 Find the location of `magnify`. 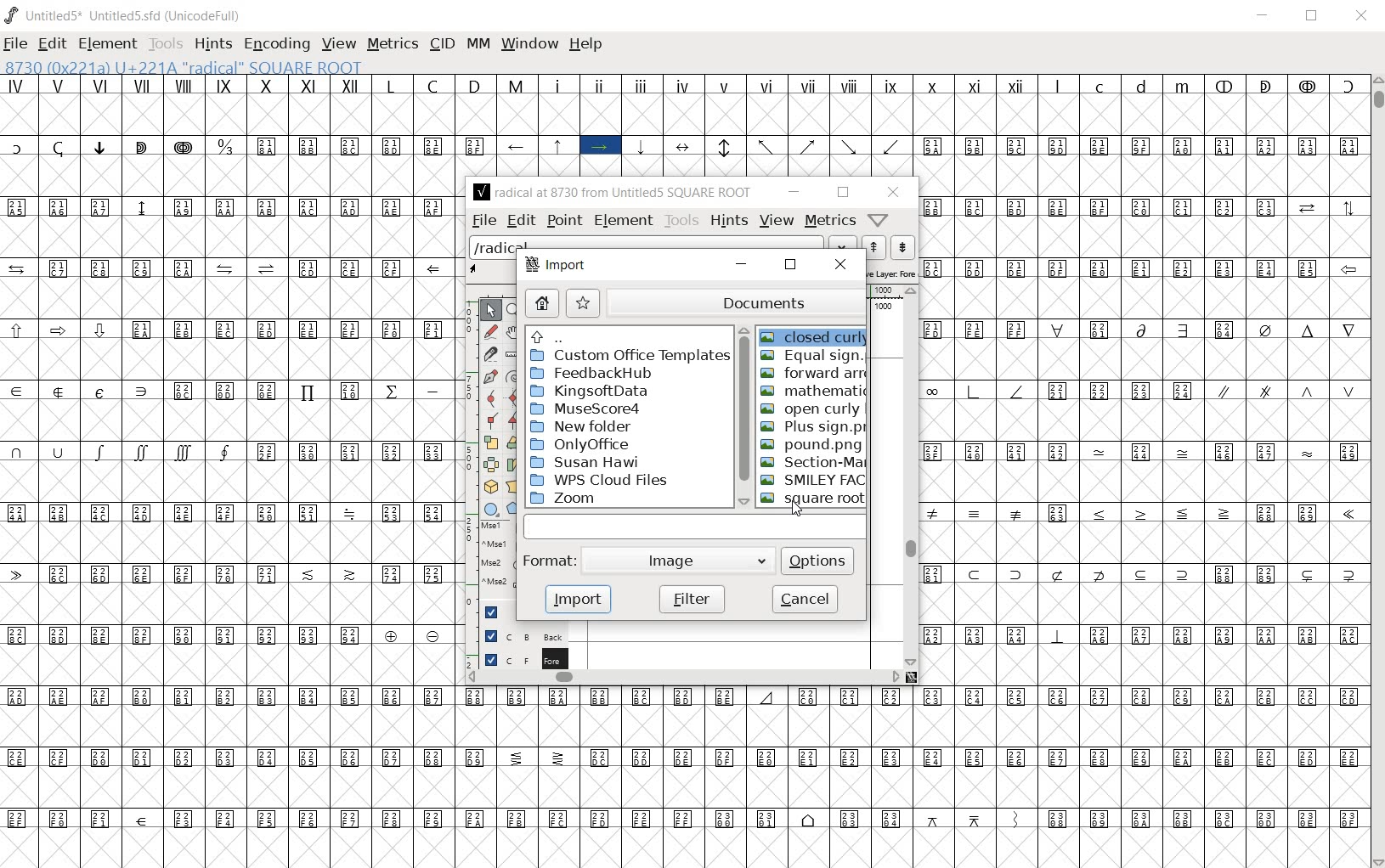

magnify is located at coordinates (516, 310).